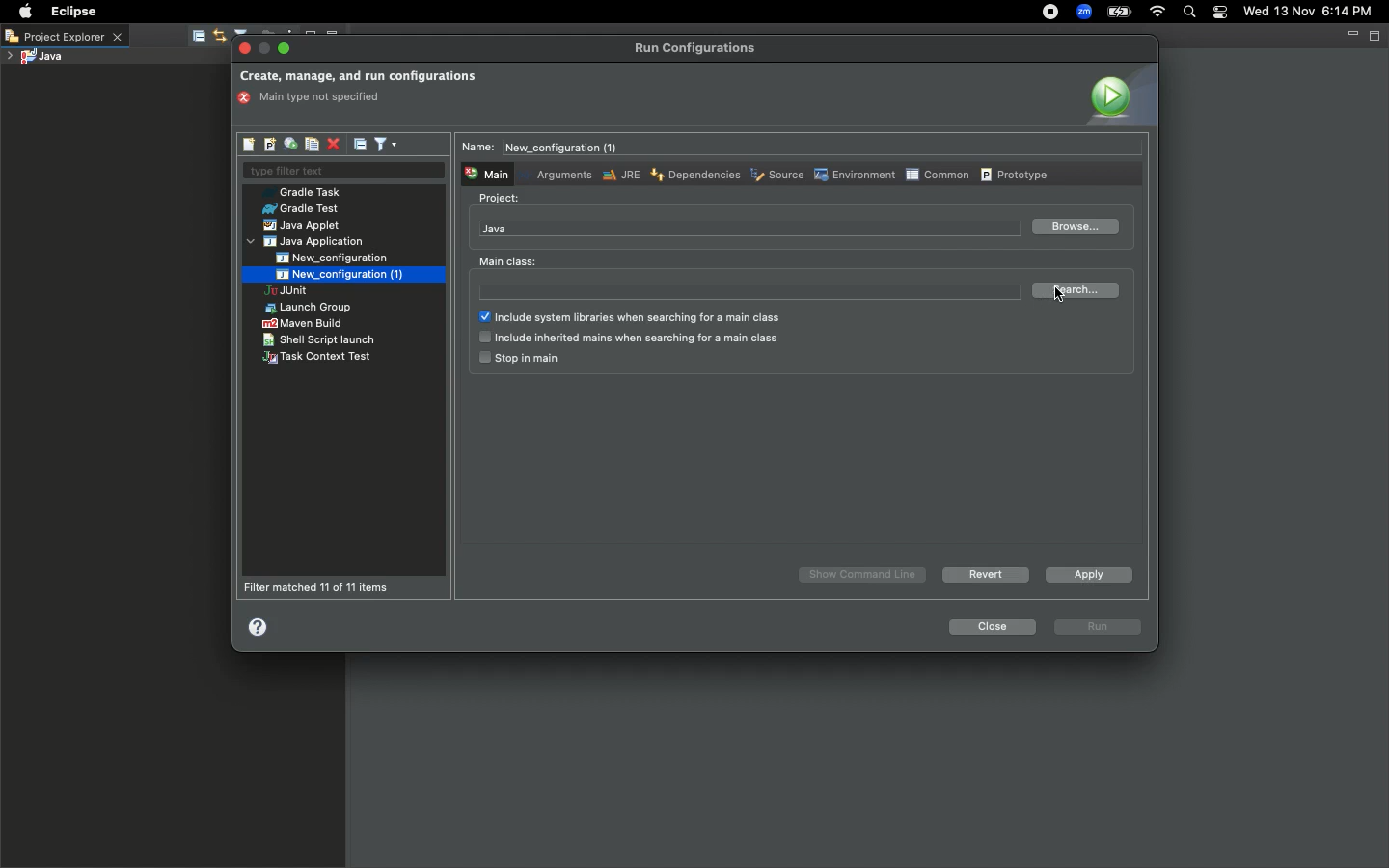 The width and height of the screenshot is (1389, 868). What do you see at coordinates (698, 48) in the screenshot?
I see `Run configurations` at bounding box center [698, 48].